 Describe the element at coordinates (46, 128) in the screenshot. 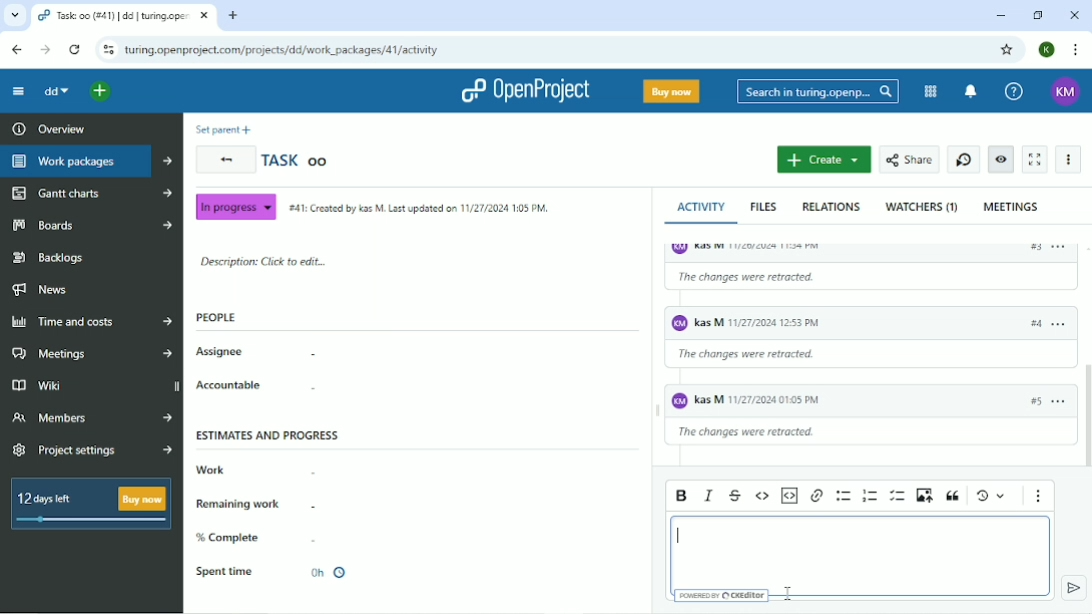

I see `Overview` at that location.